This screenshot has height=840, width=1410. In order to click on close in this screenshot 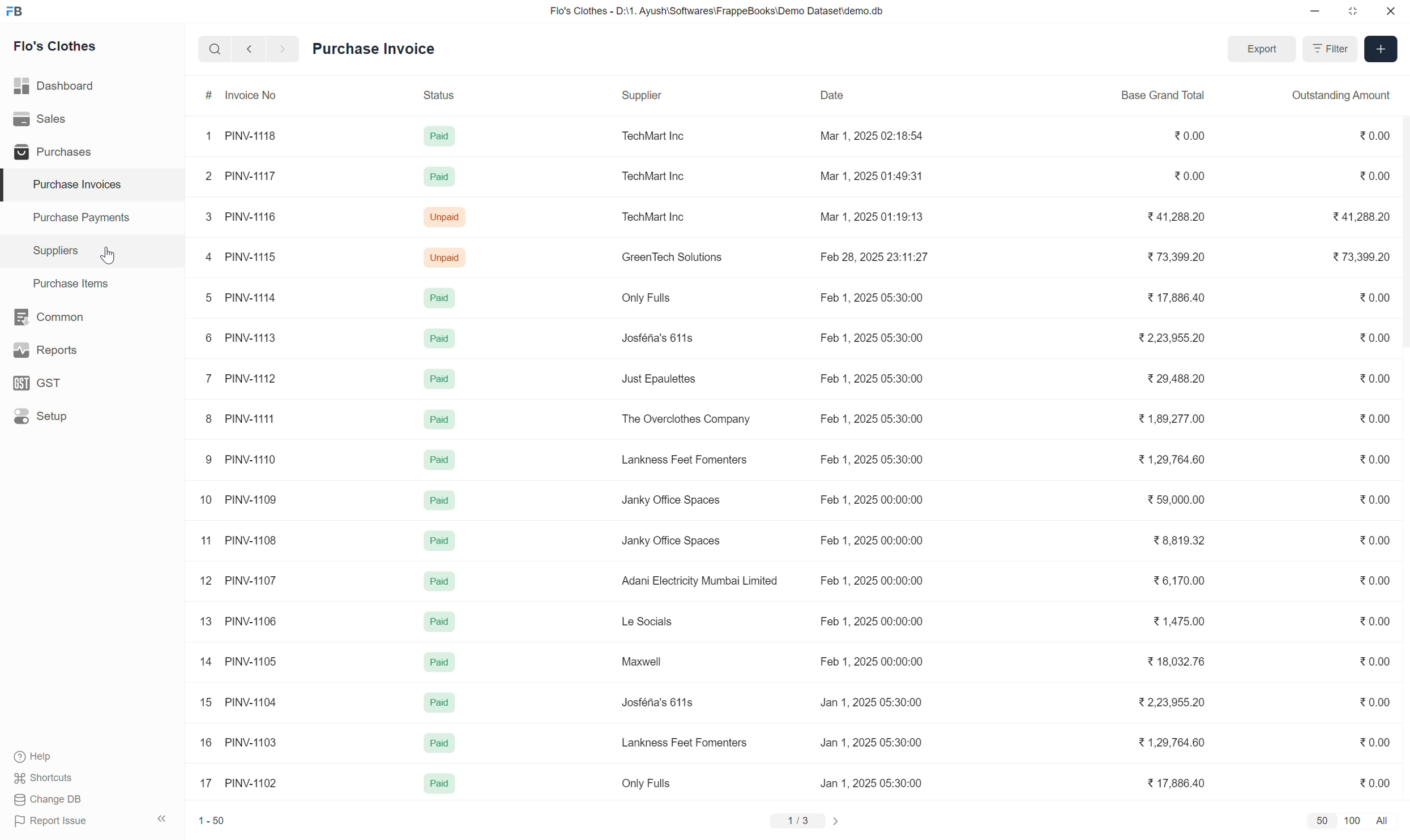, I will do `click(1391, 13)`.